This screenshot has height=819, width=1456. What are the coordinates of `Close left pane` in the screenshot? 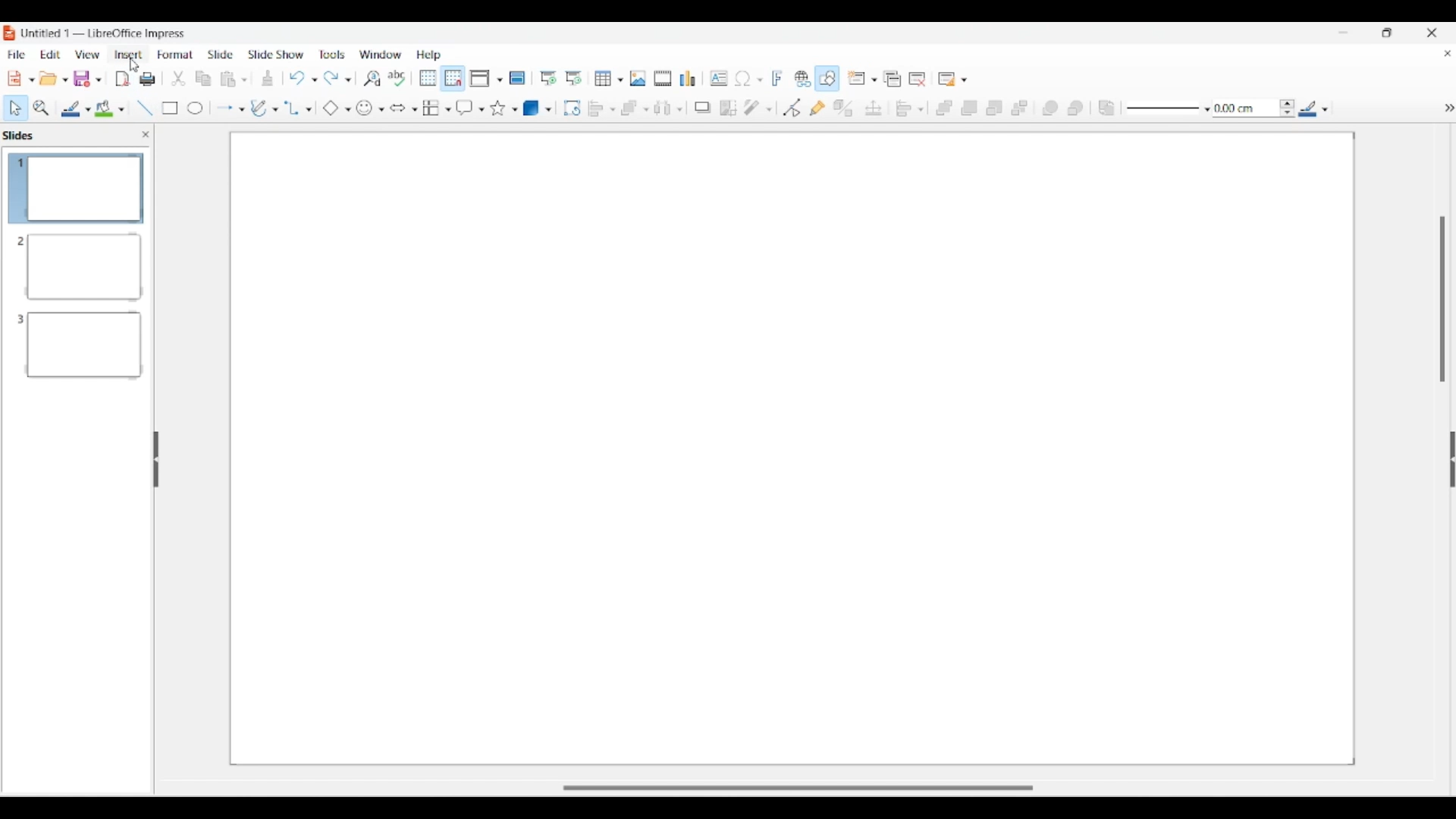 It's located at (146, 135).